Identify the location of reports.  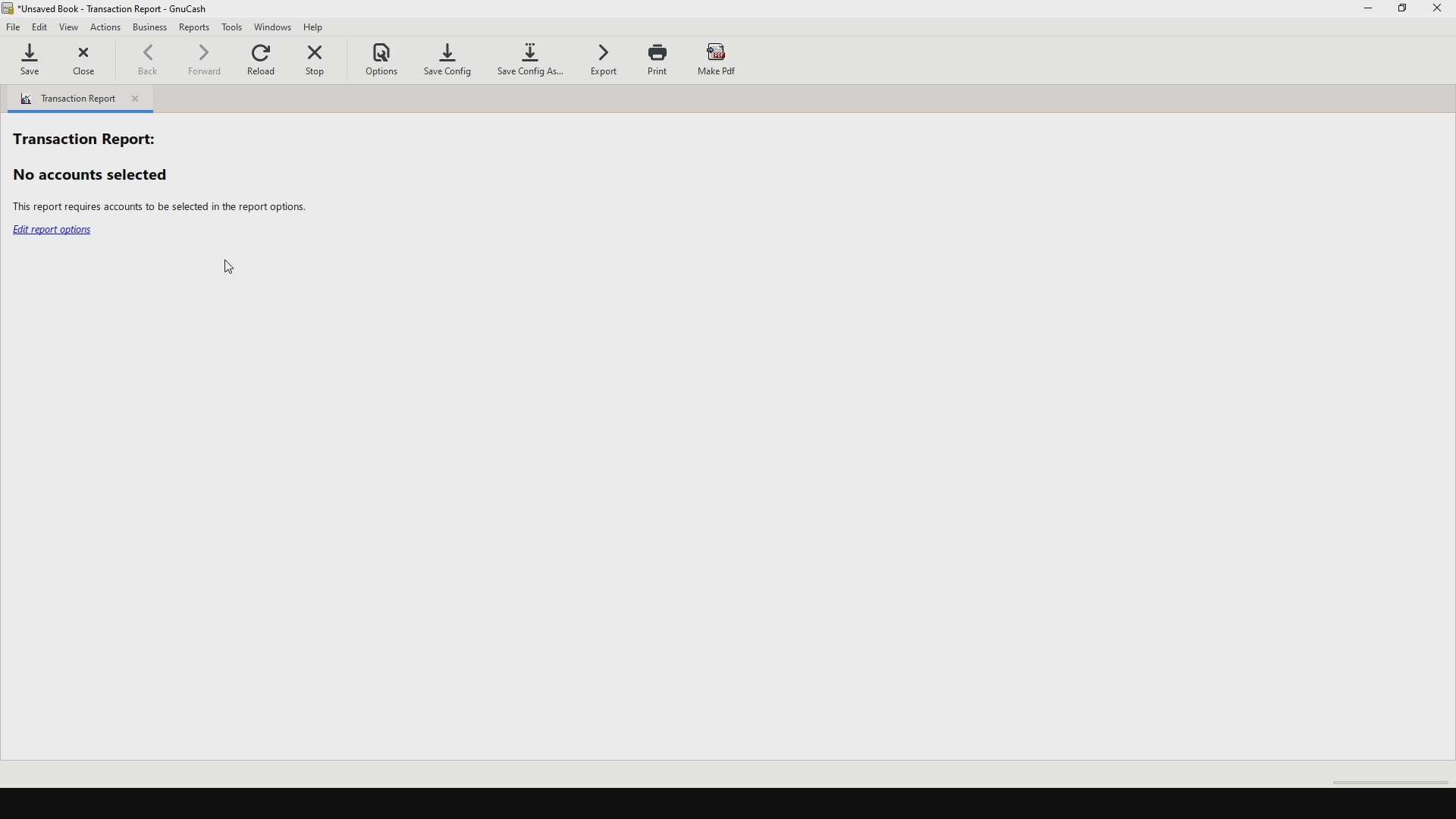
(195, 30).